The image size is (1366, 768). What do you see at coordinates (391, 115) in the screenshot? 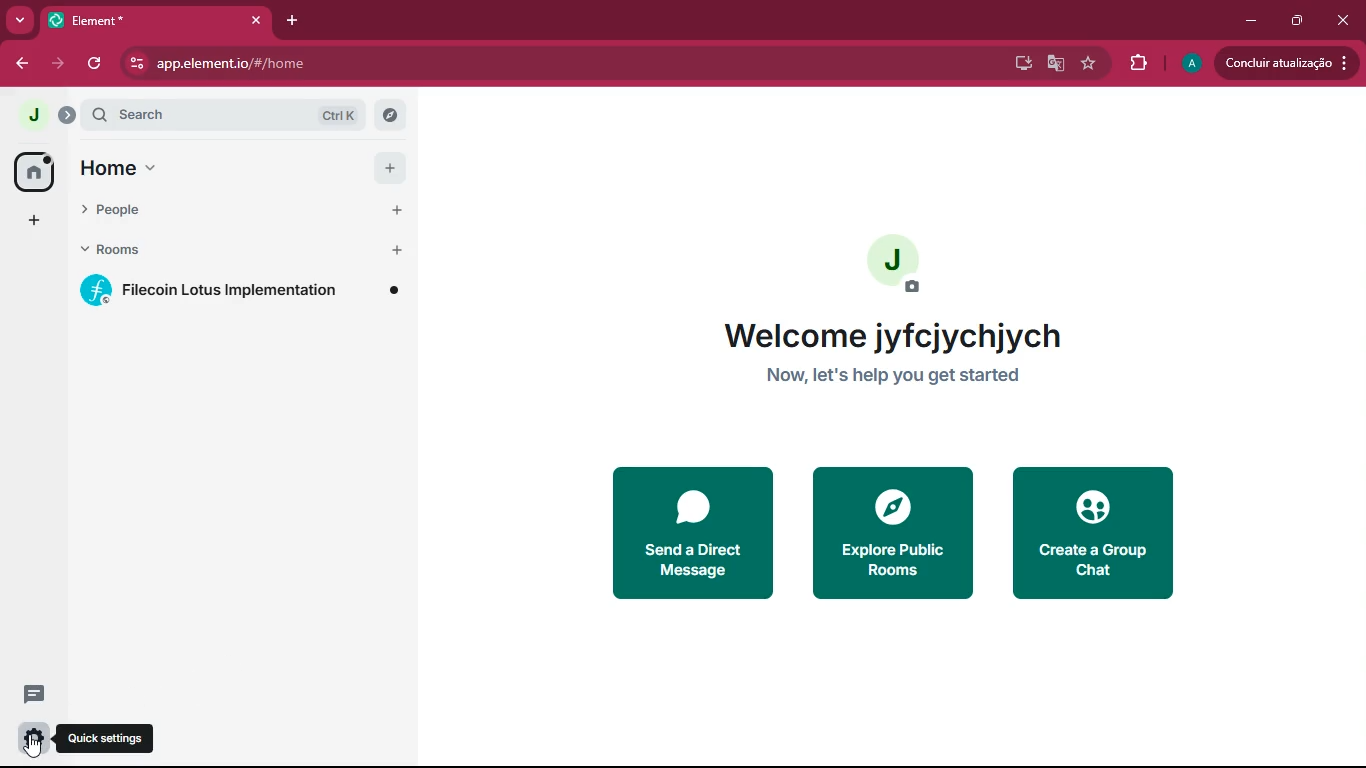
I see `explore rooms` at bounding box center [391, 115].